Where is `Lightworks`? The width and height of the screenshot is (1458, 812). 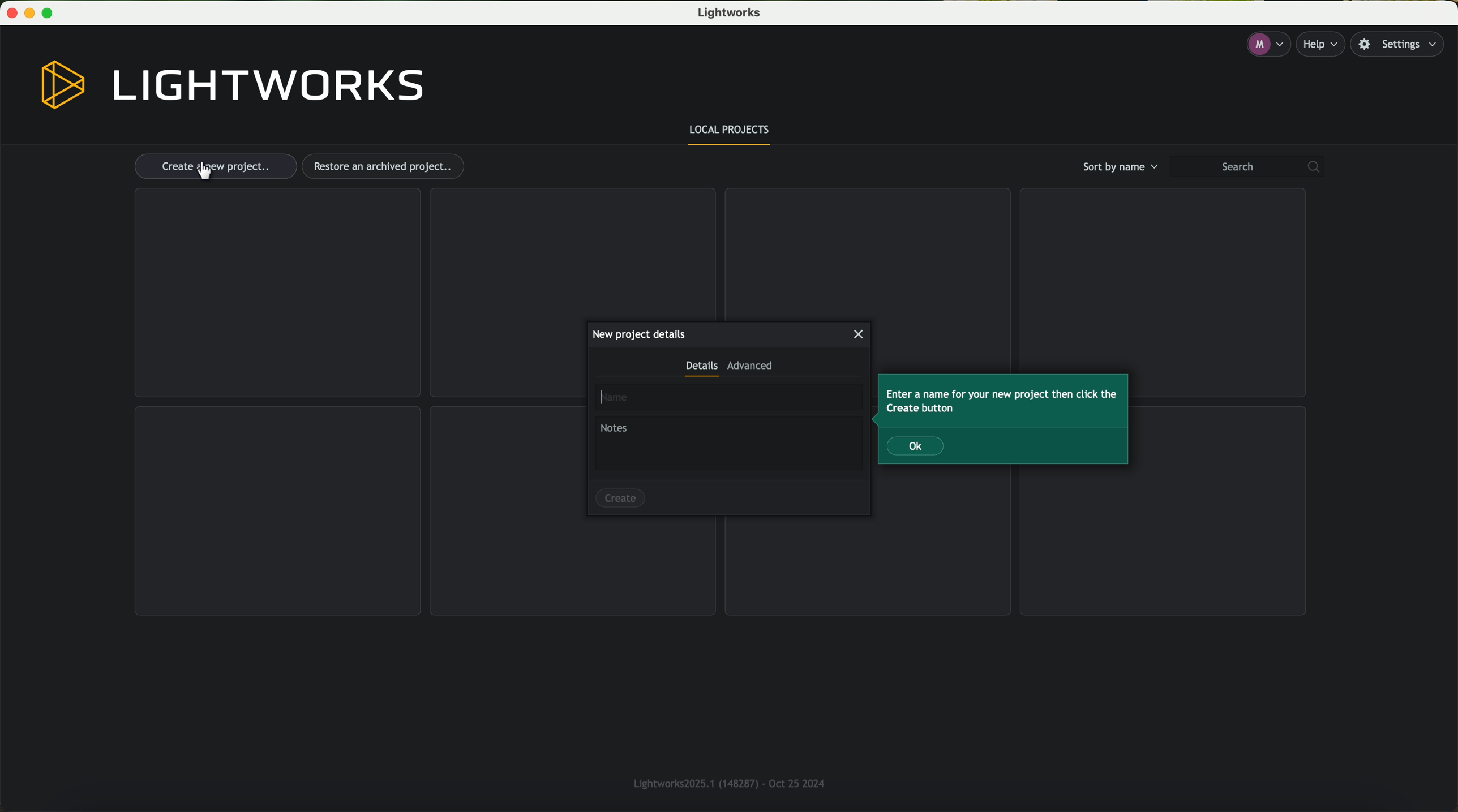
Lightworks is located at coordinates (732, 14).